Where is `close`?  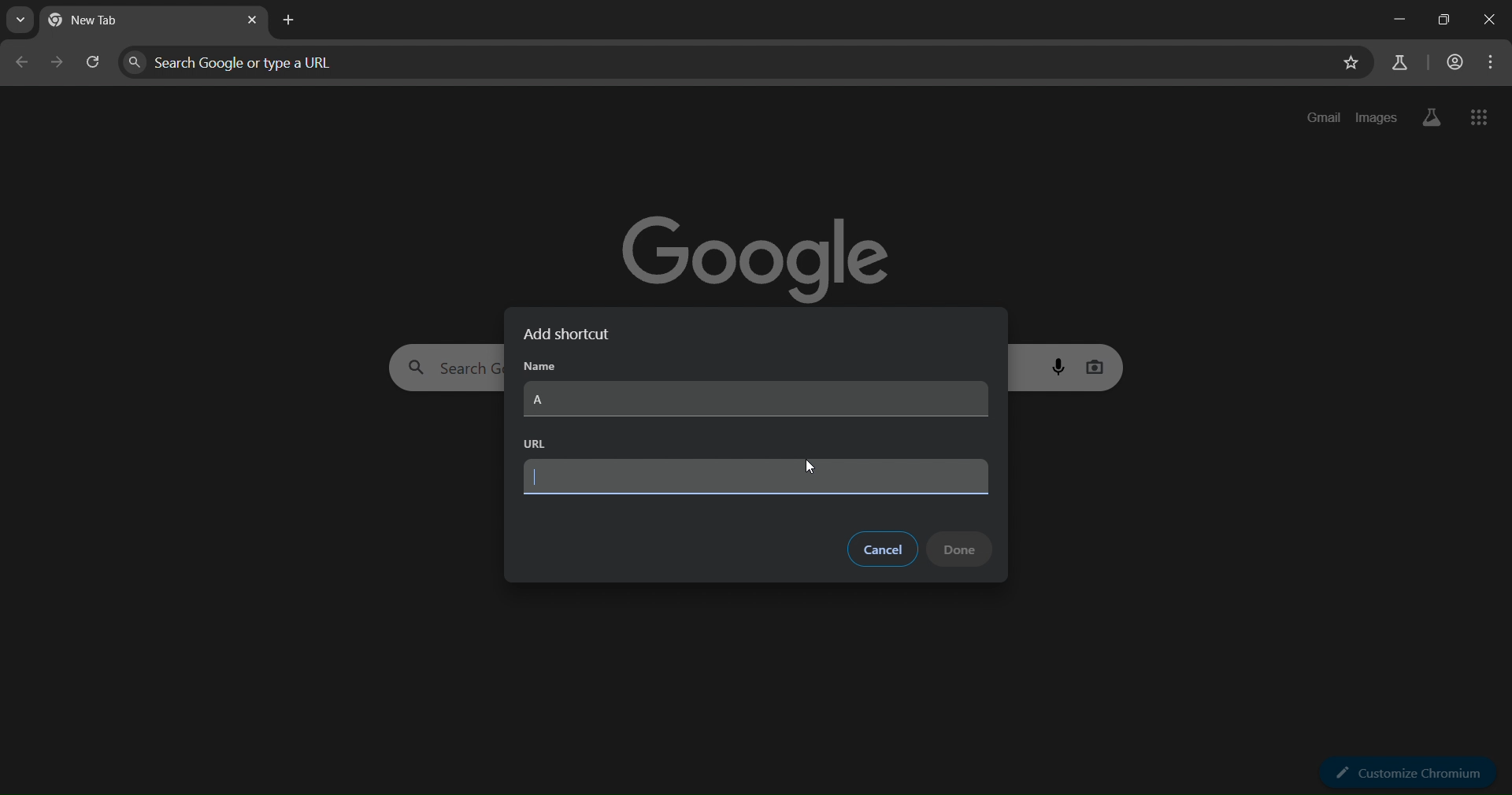
close is located at coordinates (1488, 20).